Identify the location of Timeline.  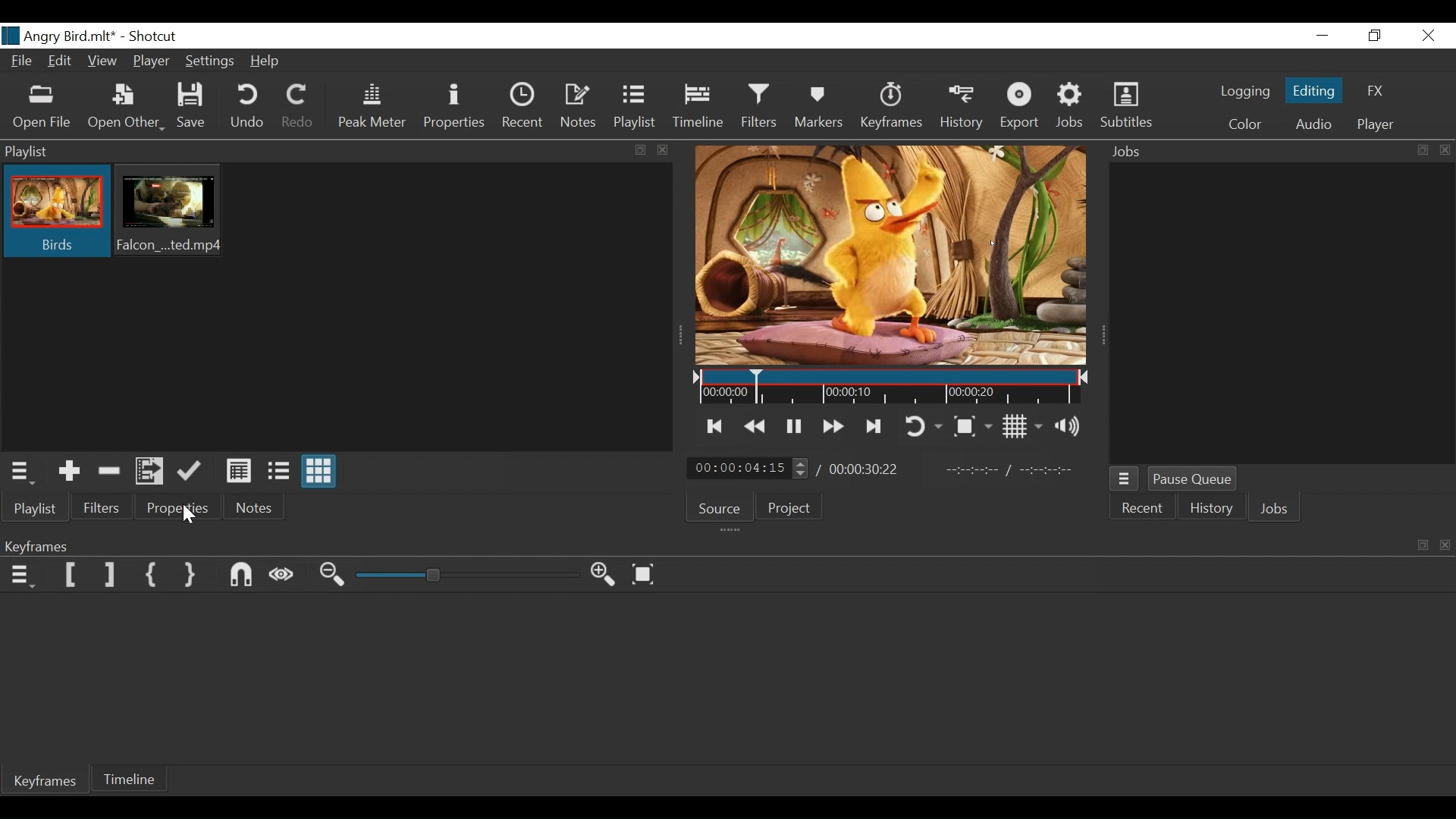
(698, 108).